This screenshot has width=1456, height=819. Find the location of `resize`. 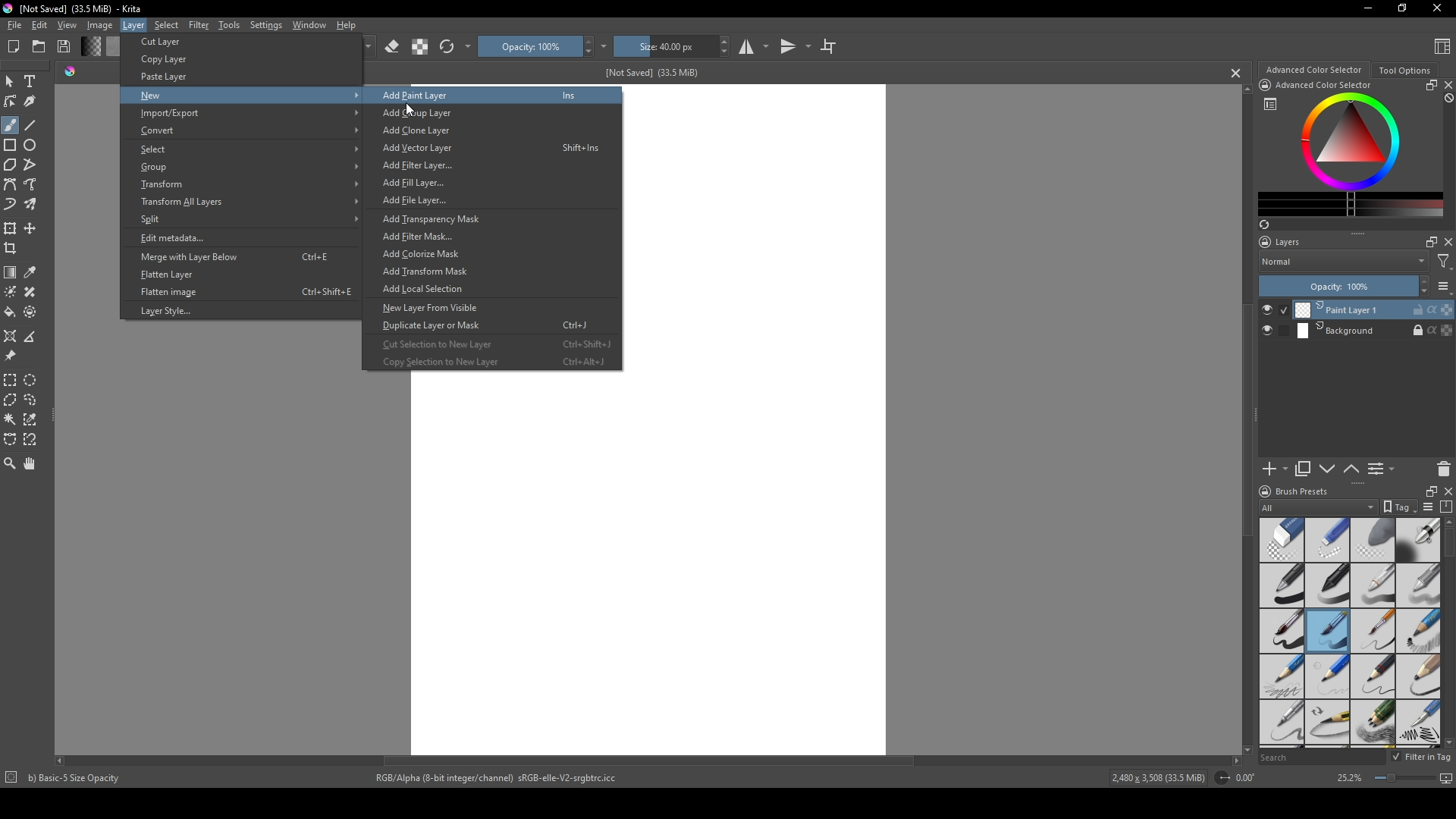

resize is located at coordinates (1429, 85).